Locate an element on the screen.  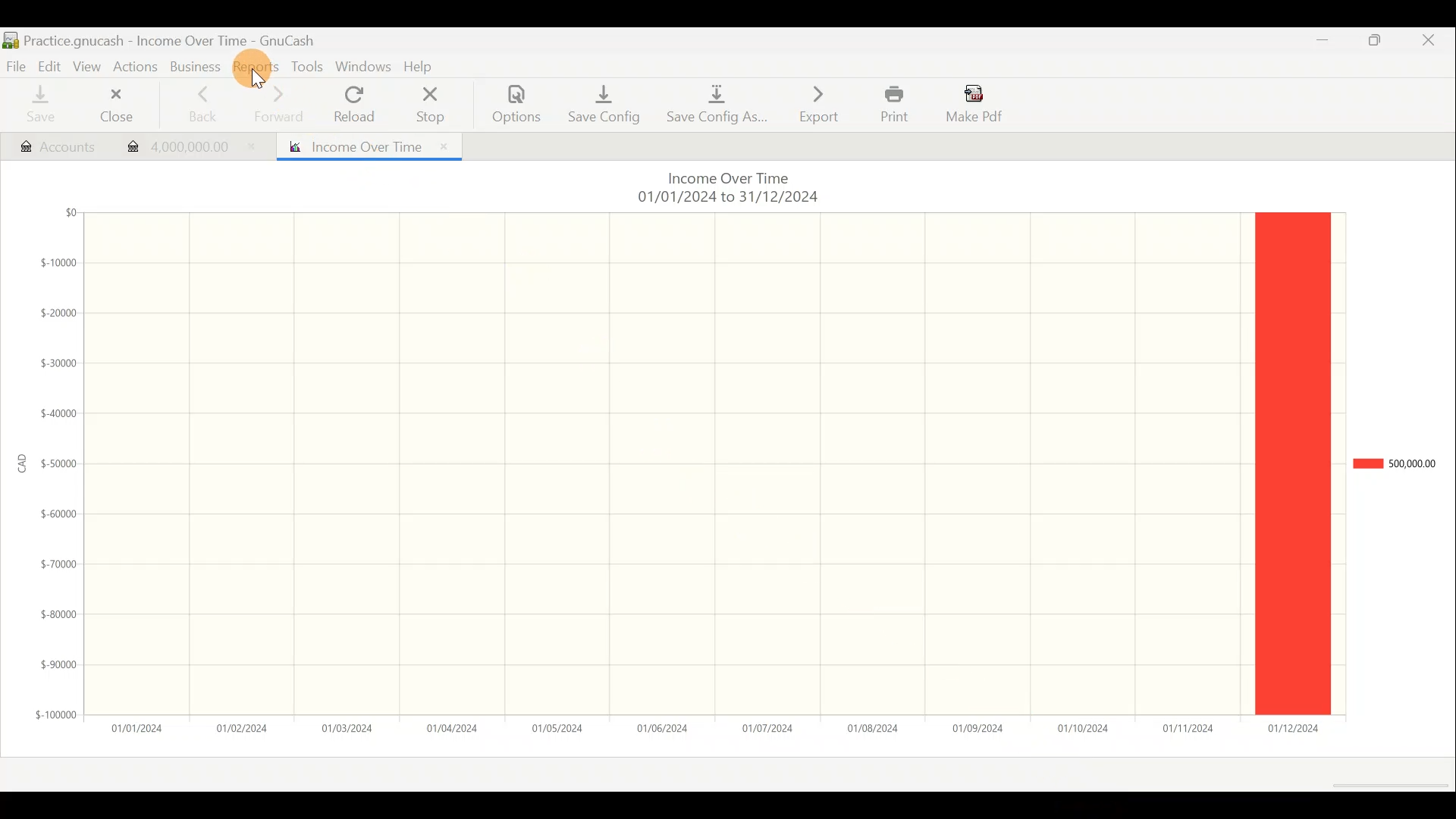
Close is located at coordinates (1429, 42).